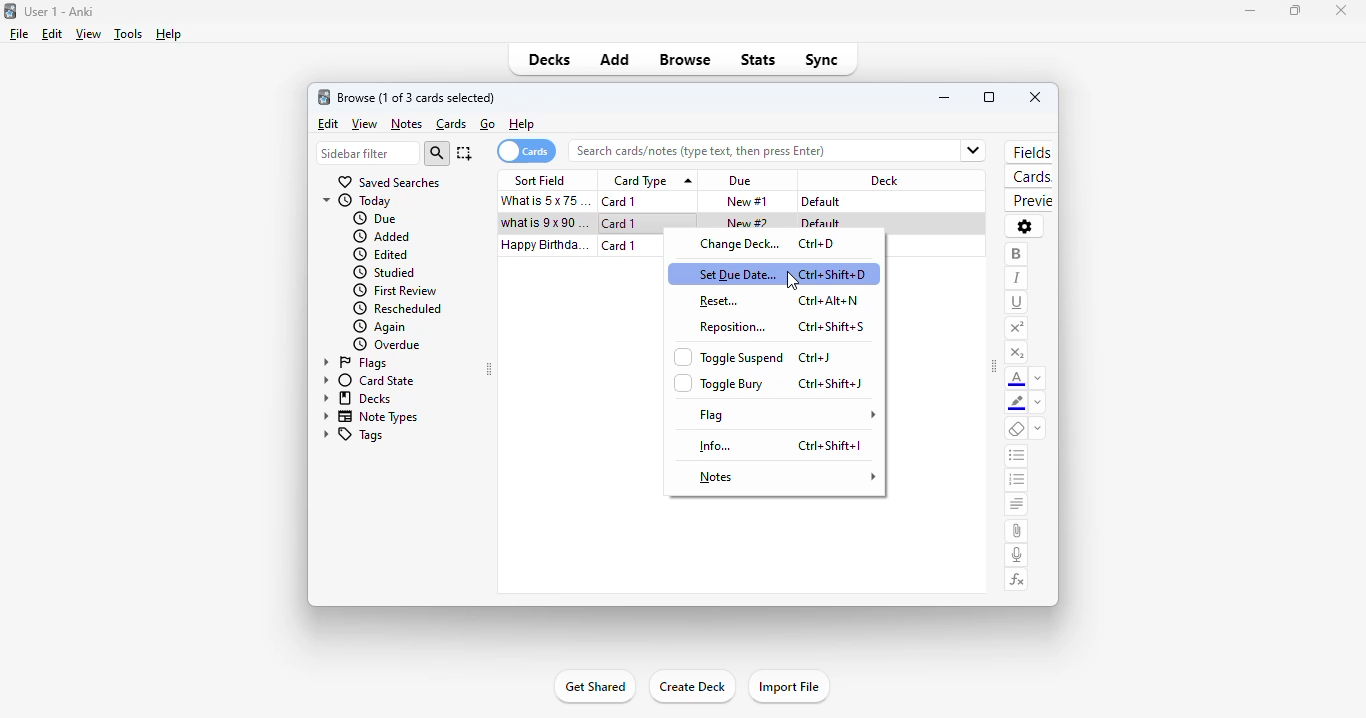 This screenshot has width=1366, height=718. What do you see at coordinates (785, 327) in the screenshot?
I see `reposition Ctrl + Shift + S` at bounding box center [785, 327].